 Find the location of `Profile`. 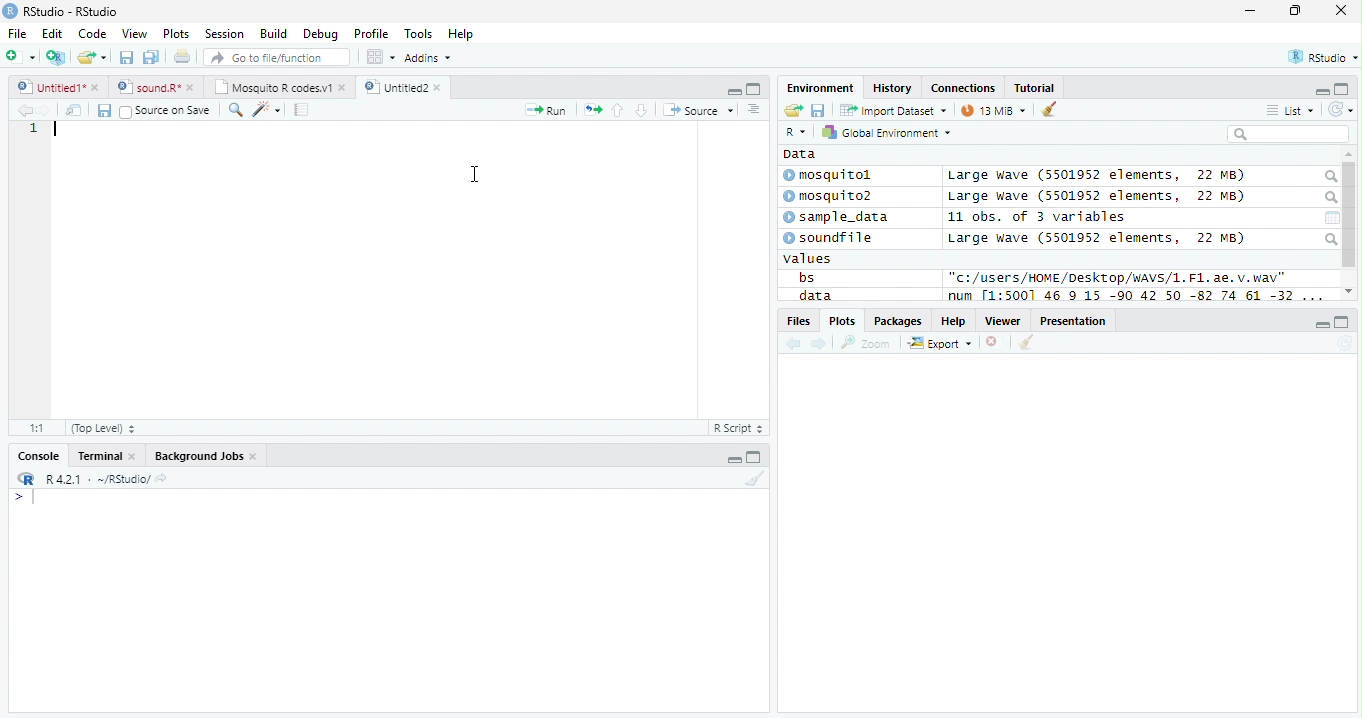

Profile is located at coordinates (371, 33).